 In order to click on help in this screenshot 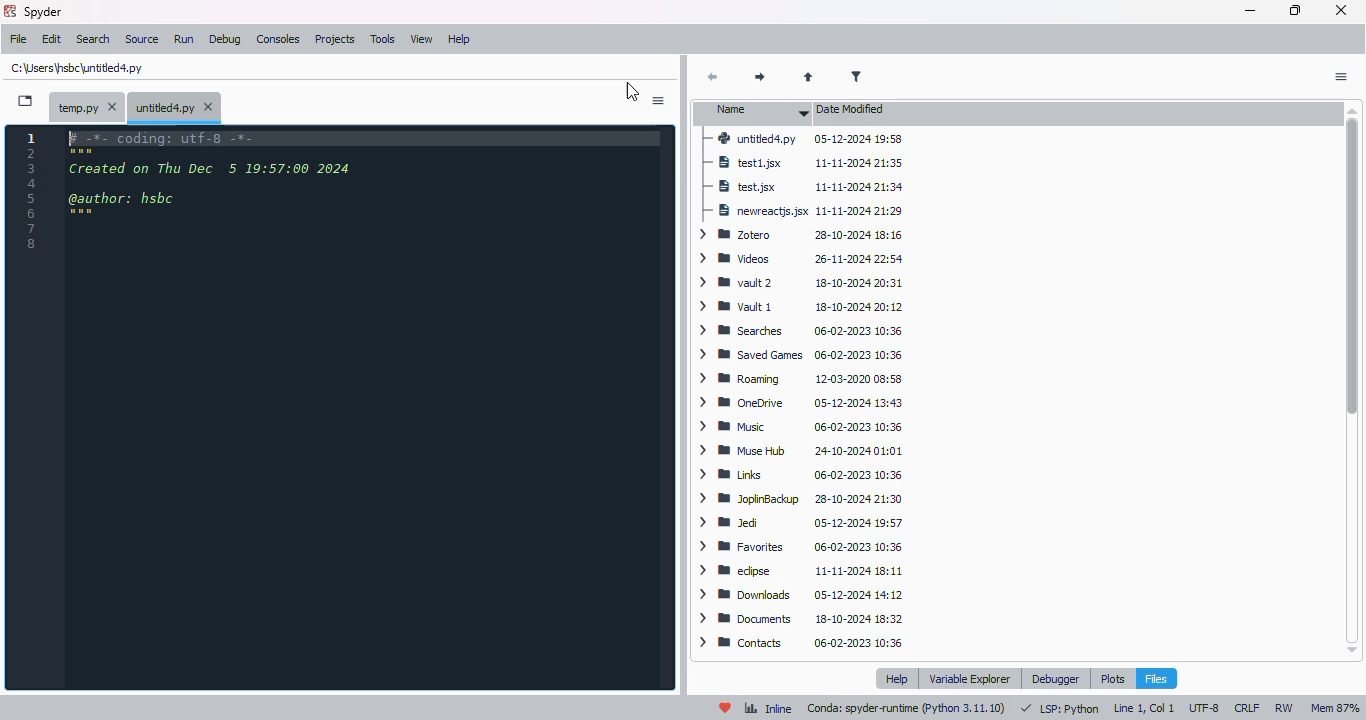, I will do `click(459, 39)`.